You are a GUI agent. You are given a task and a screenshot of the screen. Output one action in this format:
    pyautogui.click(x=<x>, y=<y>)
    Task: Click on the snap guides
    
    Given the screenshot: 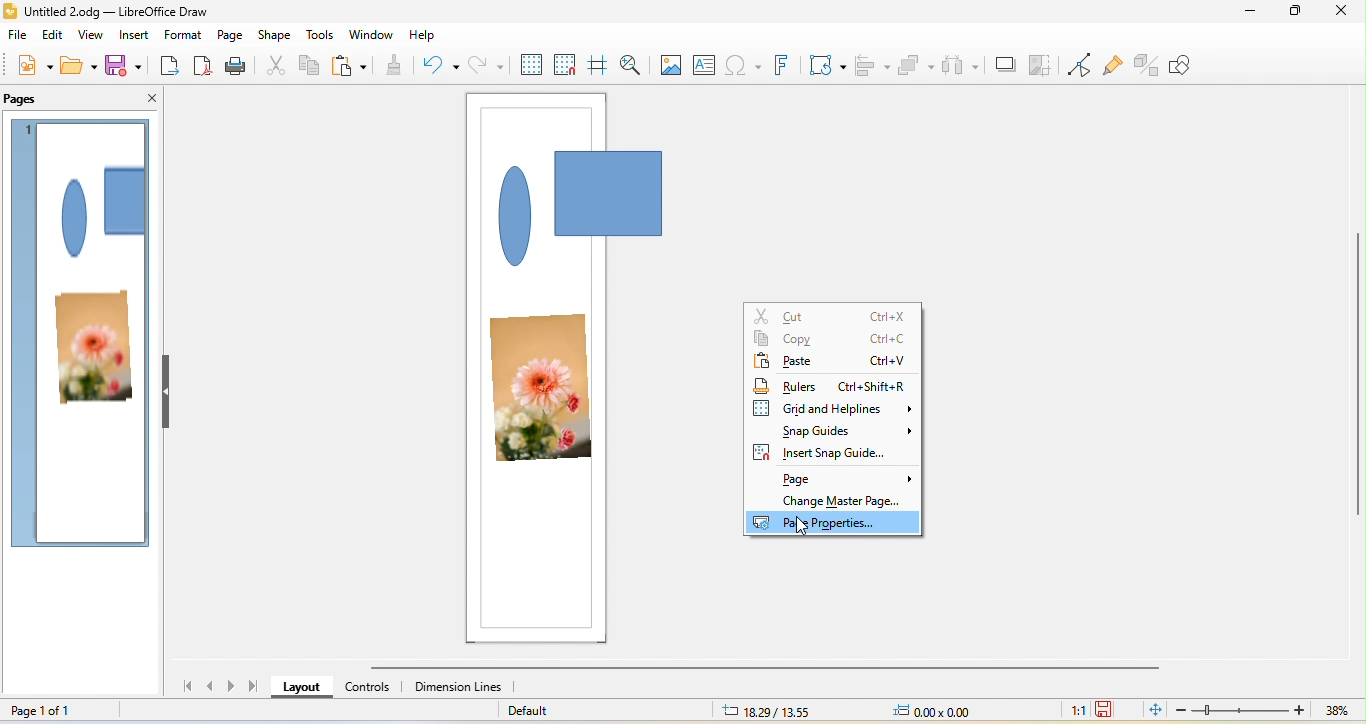 What is the action you would take?
    pyautogui.click(x=844, y=431)
    